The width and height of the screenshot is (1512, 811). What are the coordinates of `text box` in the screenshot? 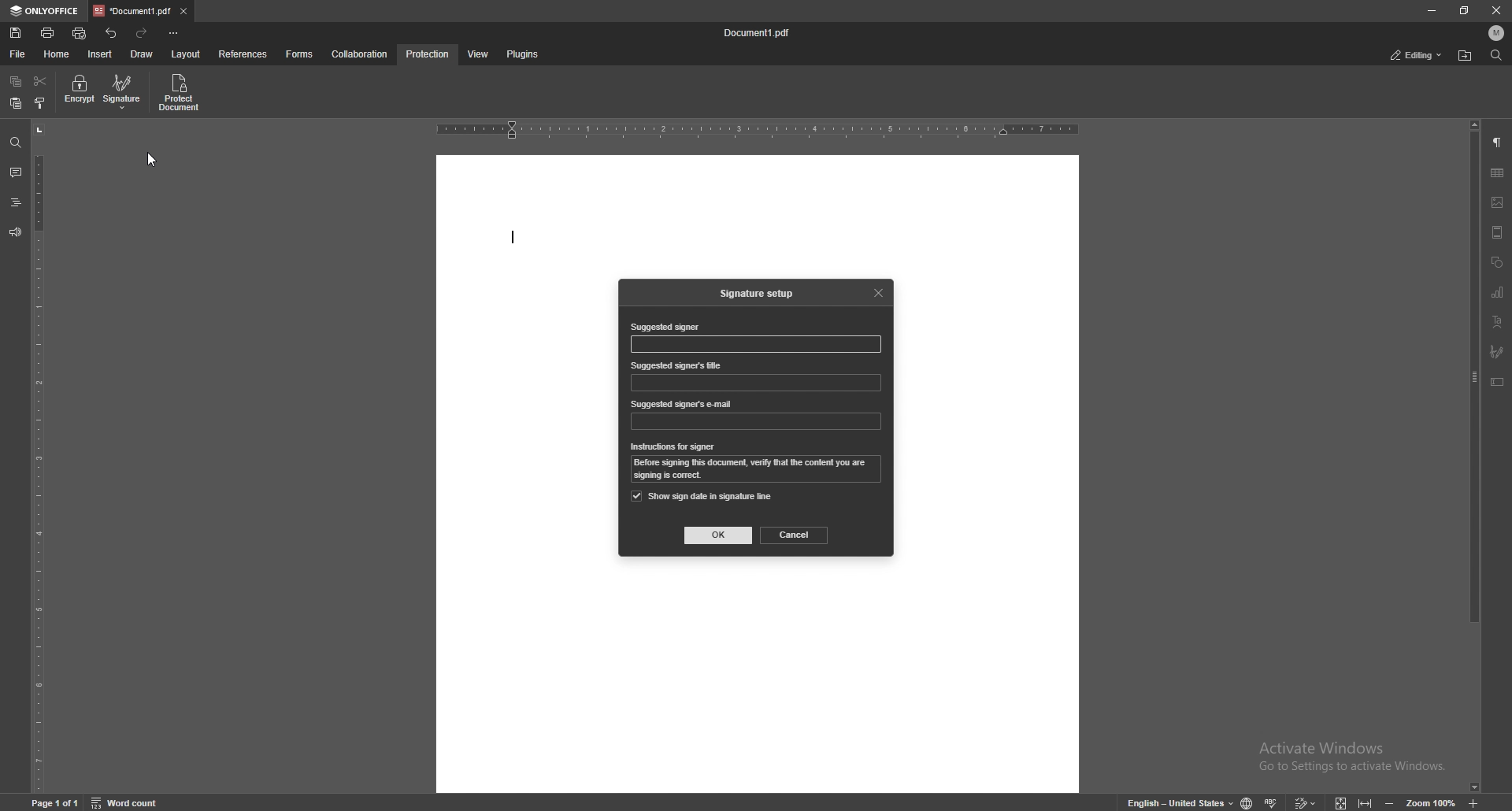 It's located at (1497, 382).